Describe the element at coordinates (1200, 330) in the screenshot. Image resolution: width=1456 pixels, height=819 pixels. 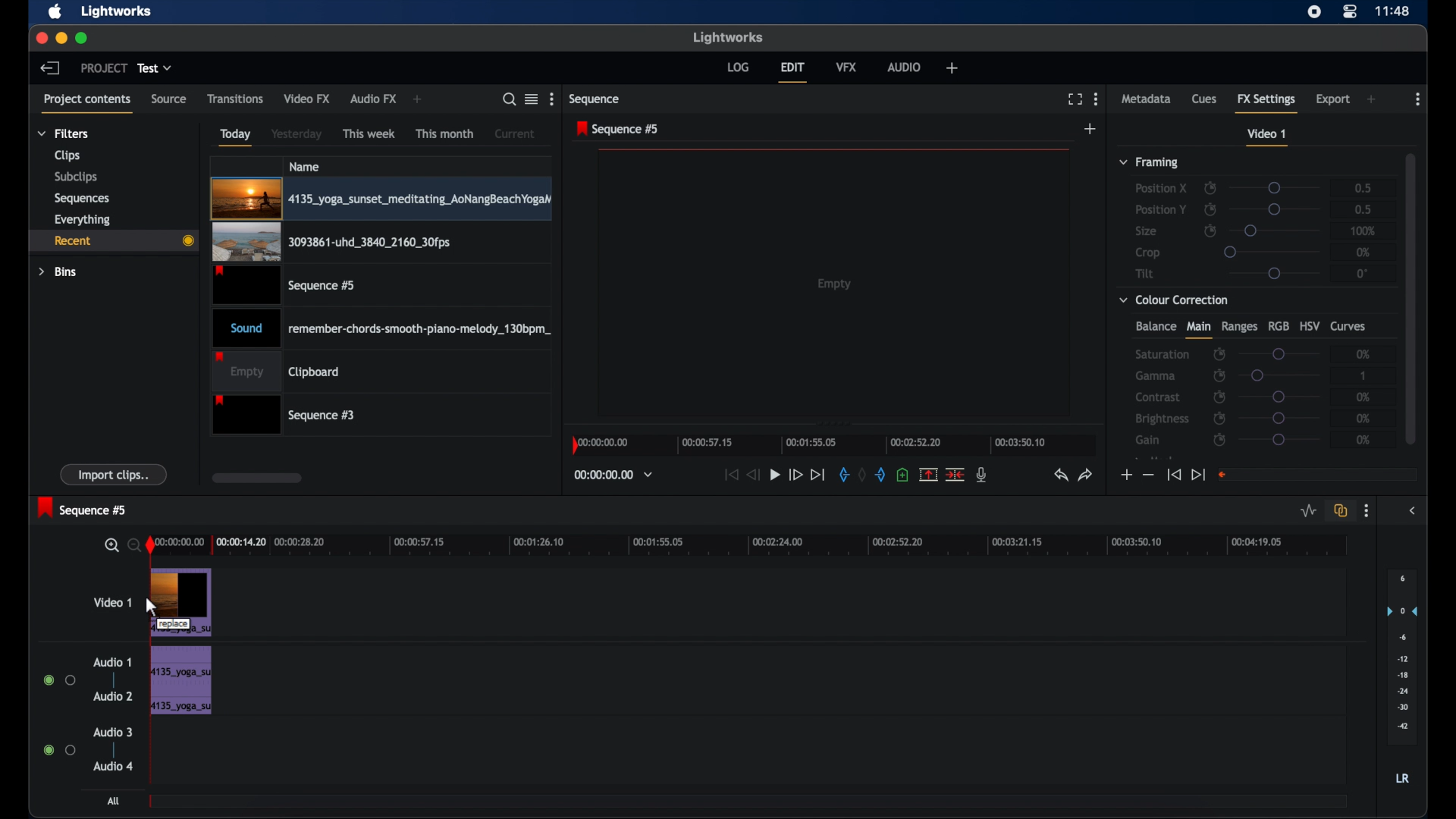
I see `` at that location.